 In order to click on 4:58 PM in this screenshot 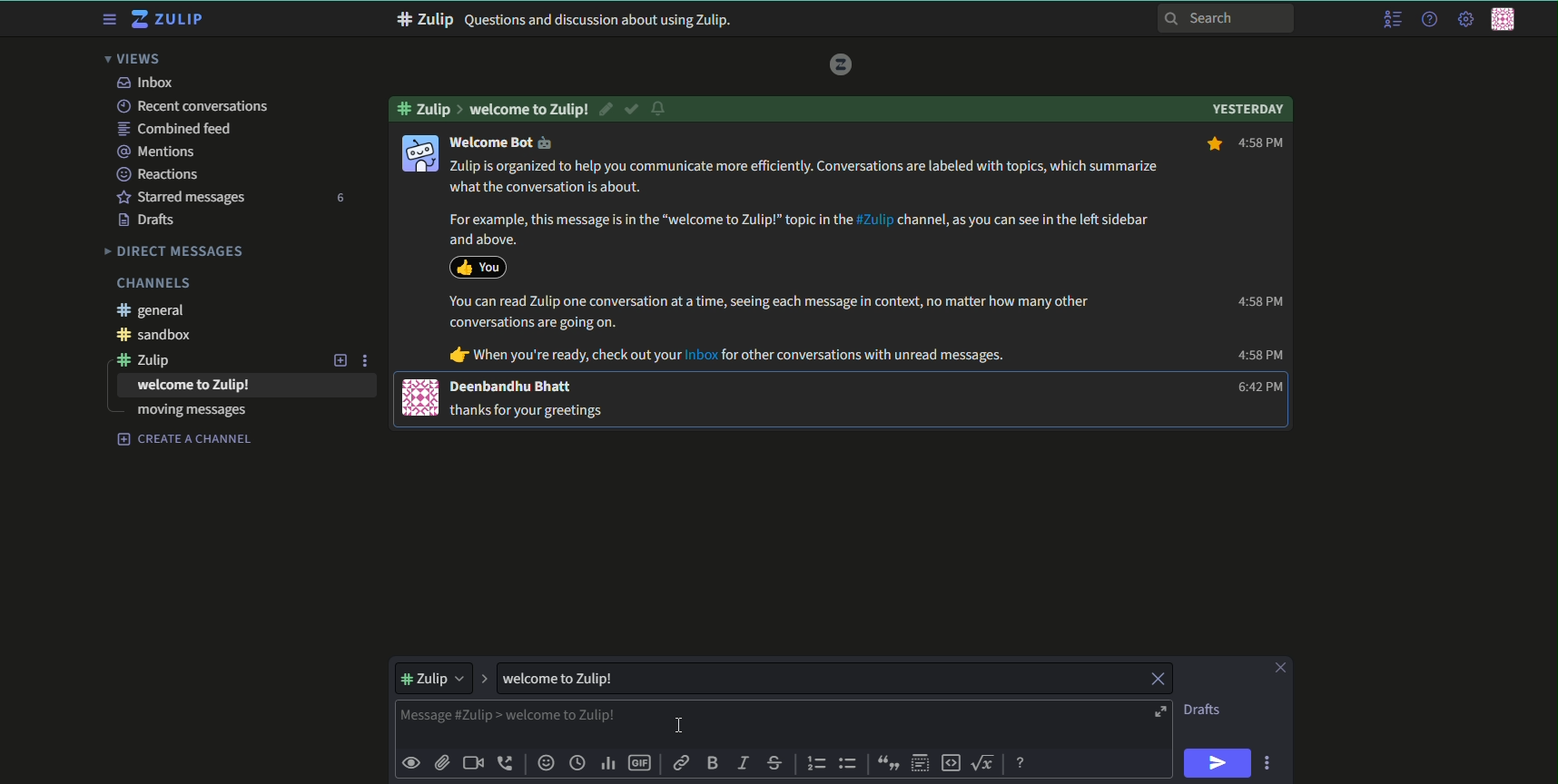, I will do `click(1260, 356)`.